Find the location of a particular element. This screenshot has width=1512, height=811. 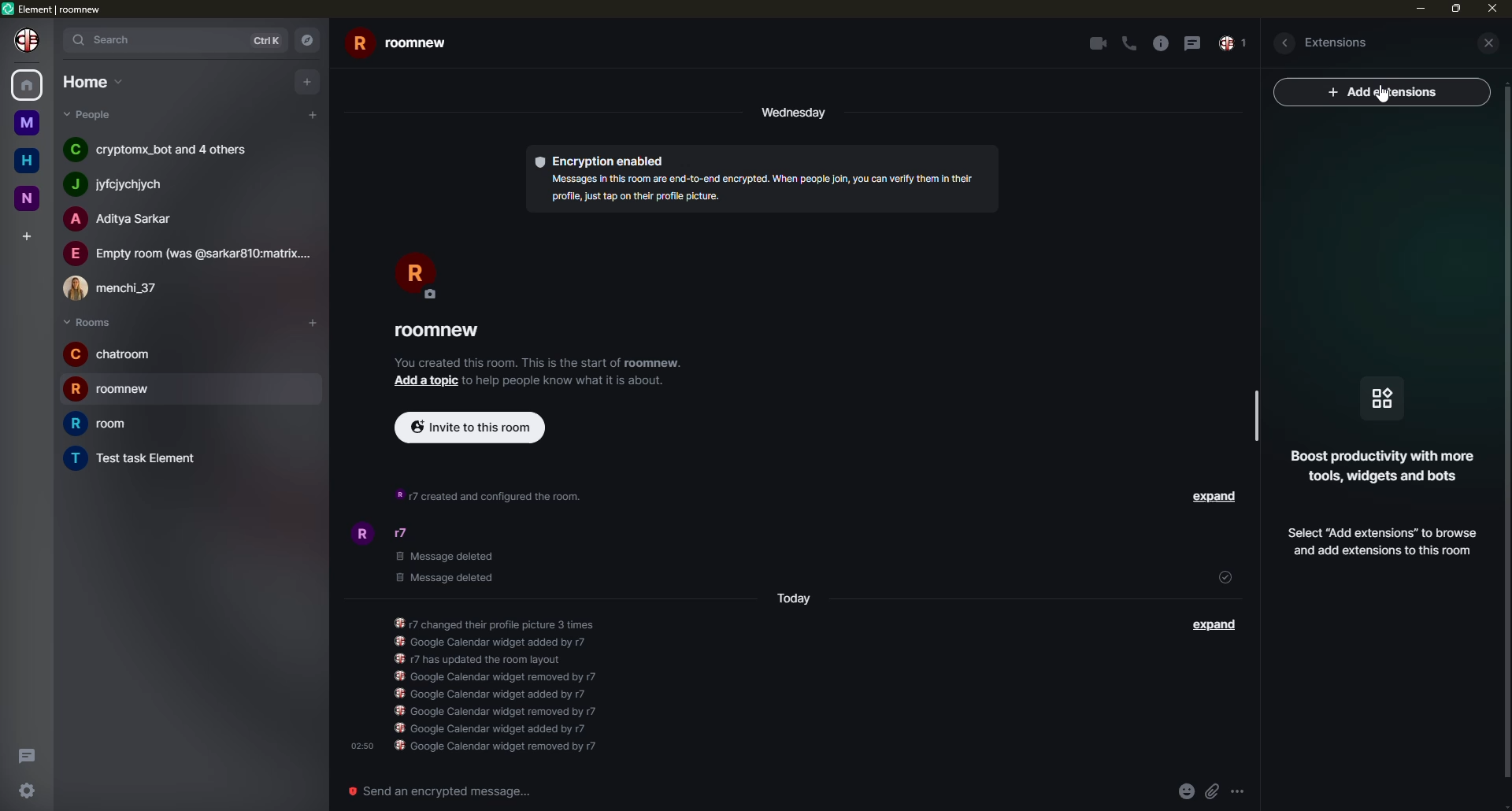

people is located at coordinates (189, 254).